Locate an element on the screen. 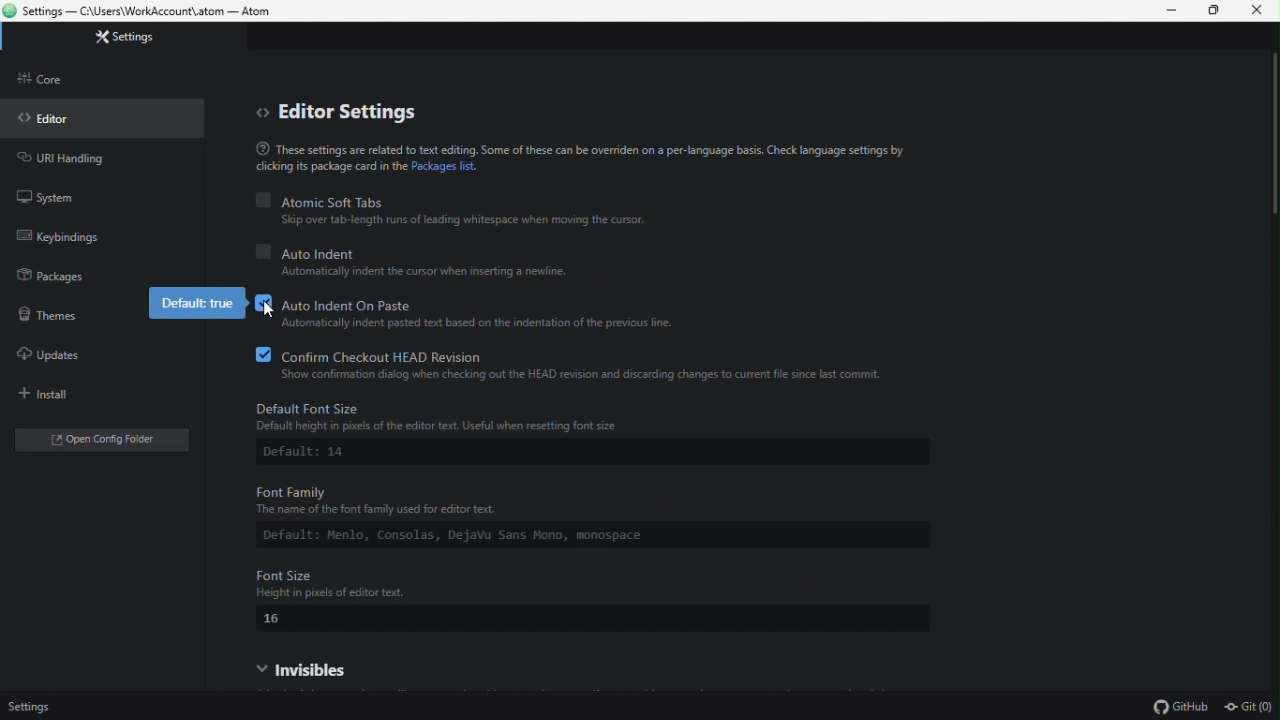 The height and width of the screenshot is (720, 1280). Editor settings is located at coordinates (333, 113).